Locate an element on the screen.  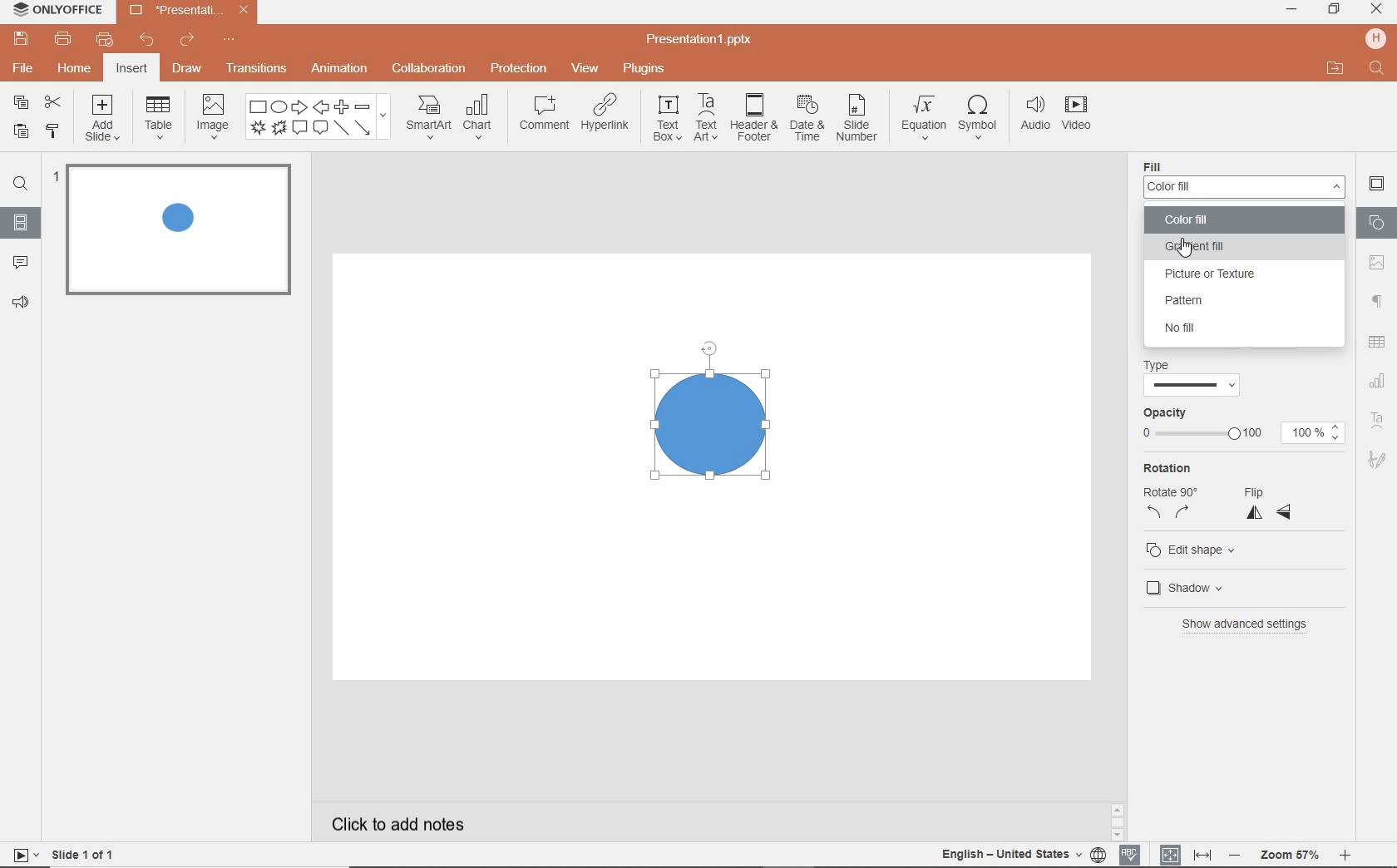
table is located at coordinates (158, 119).